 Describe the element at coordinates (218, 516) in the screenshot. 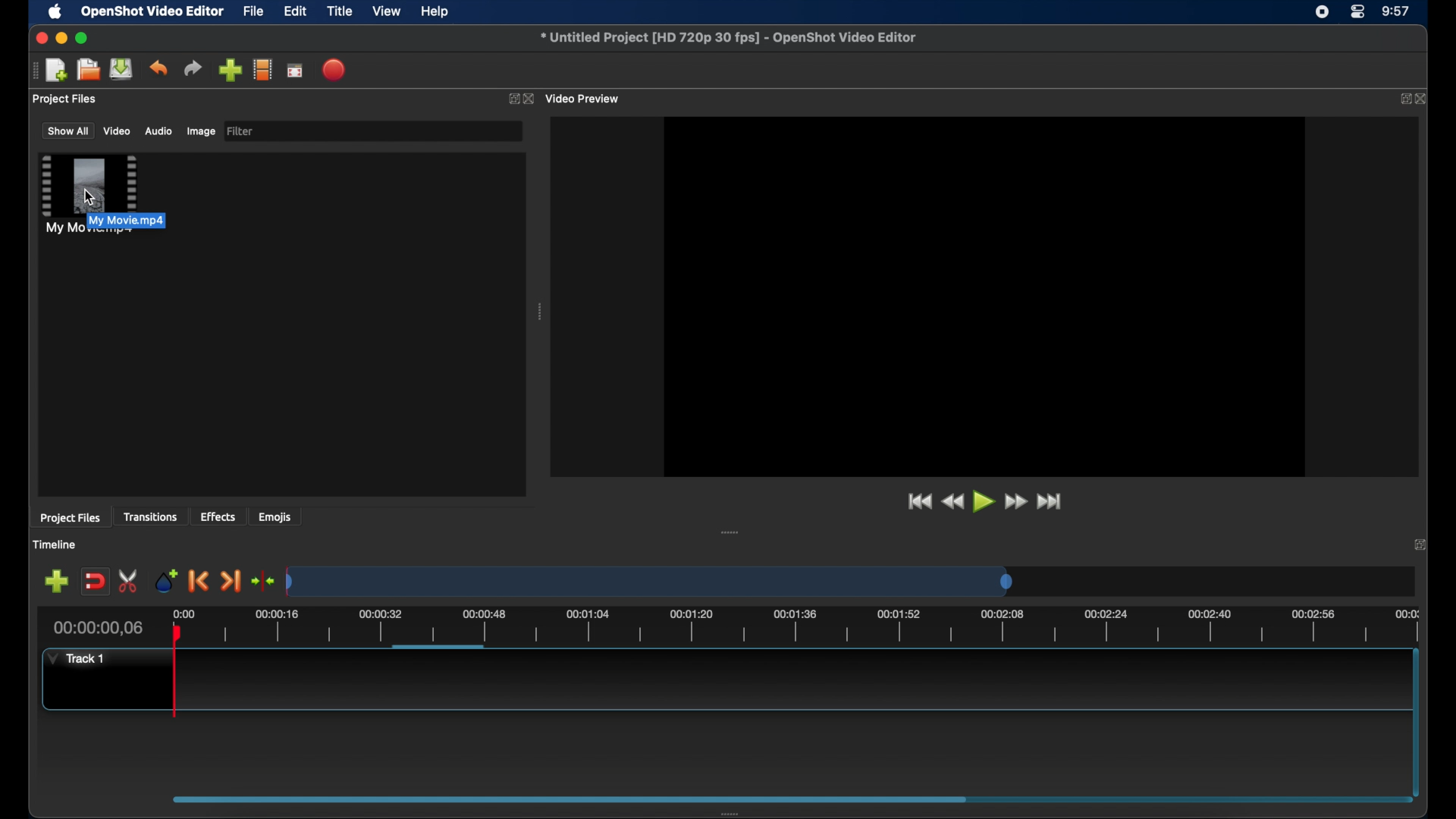

I see `effects` at that location.